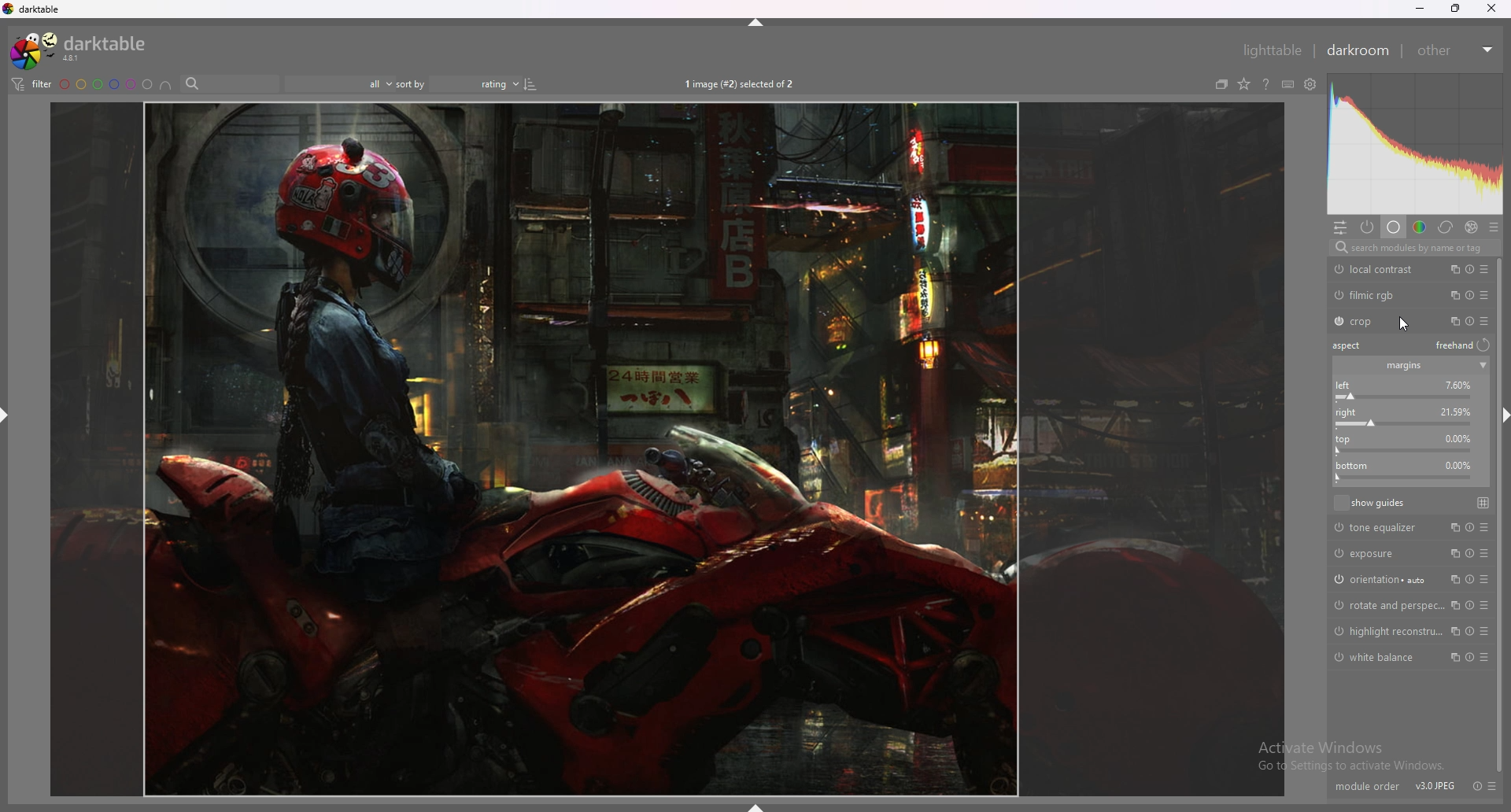  Describe the element at coordinates (1340, 227) in the screenshot. I see `quick access panel` at that location.